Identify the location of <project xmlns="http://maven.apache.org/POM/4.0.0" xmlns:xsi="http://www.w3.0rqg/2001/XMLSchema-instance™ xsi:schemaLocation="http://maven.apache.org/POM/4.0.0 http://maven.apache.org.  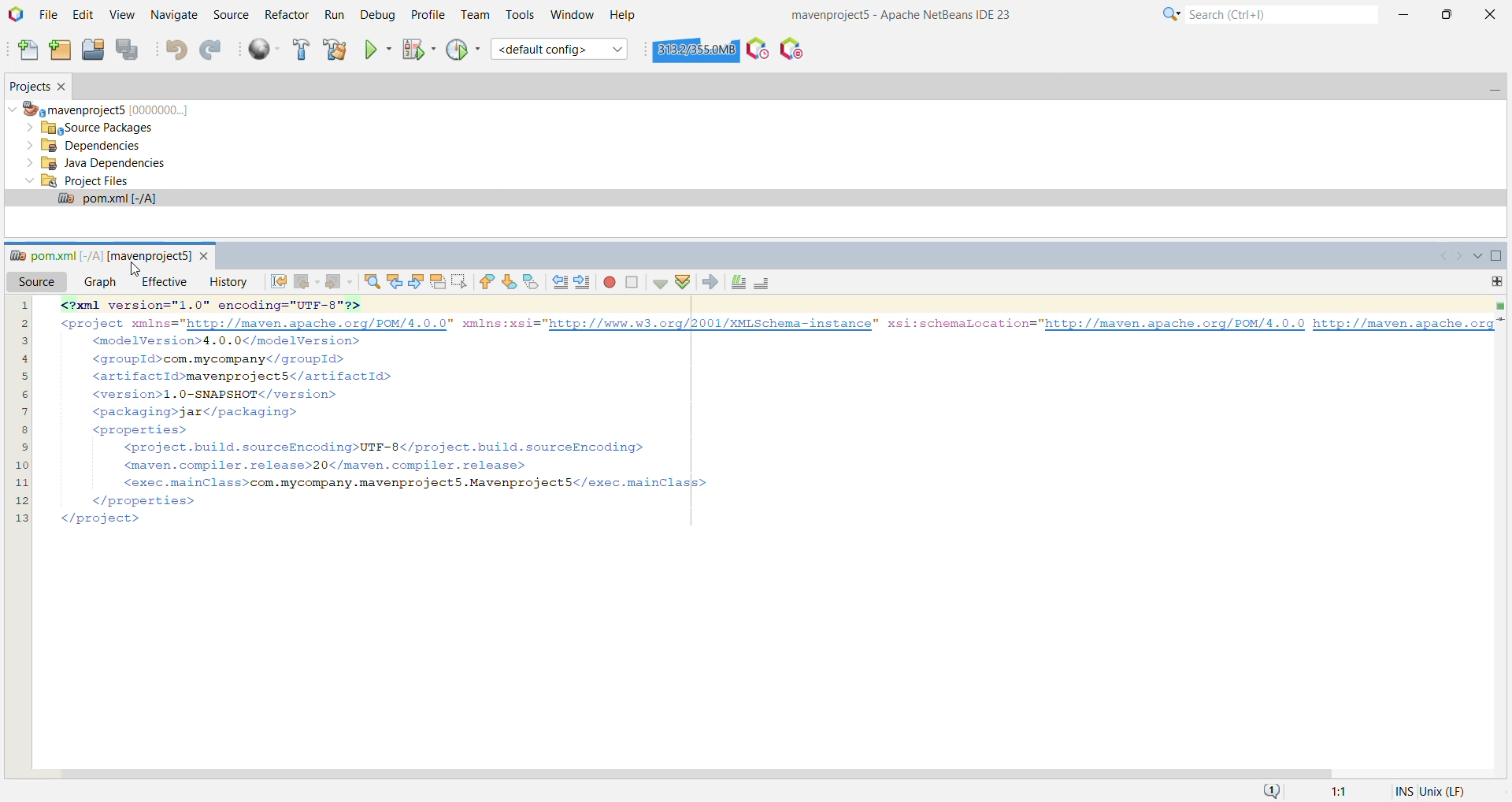
(778, 322).